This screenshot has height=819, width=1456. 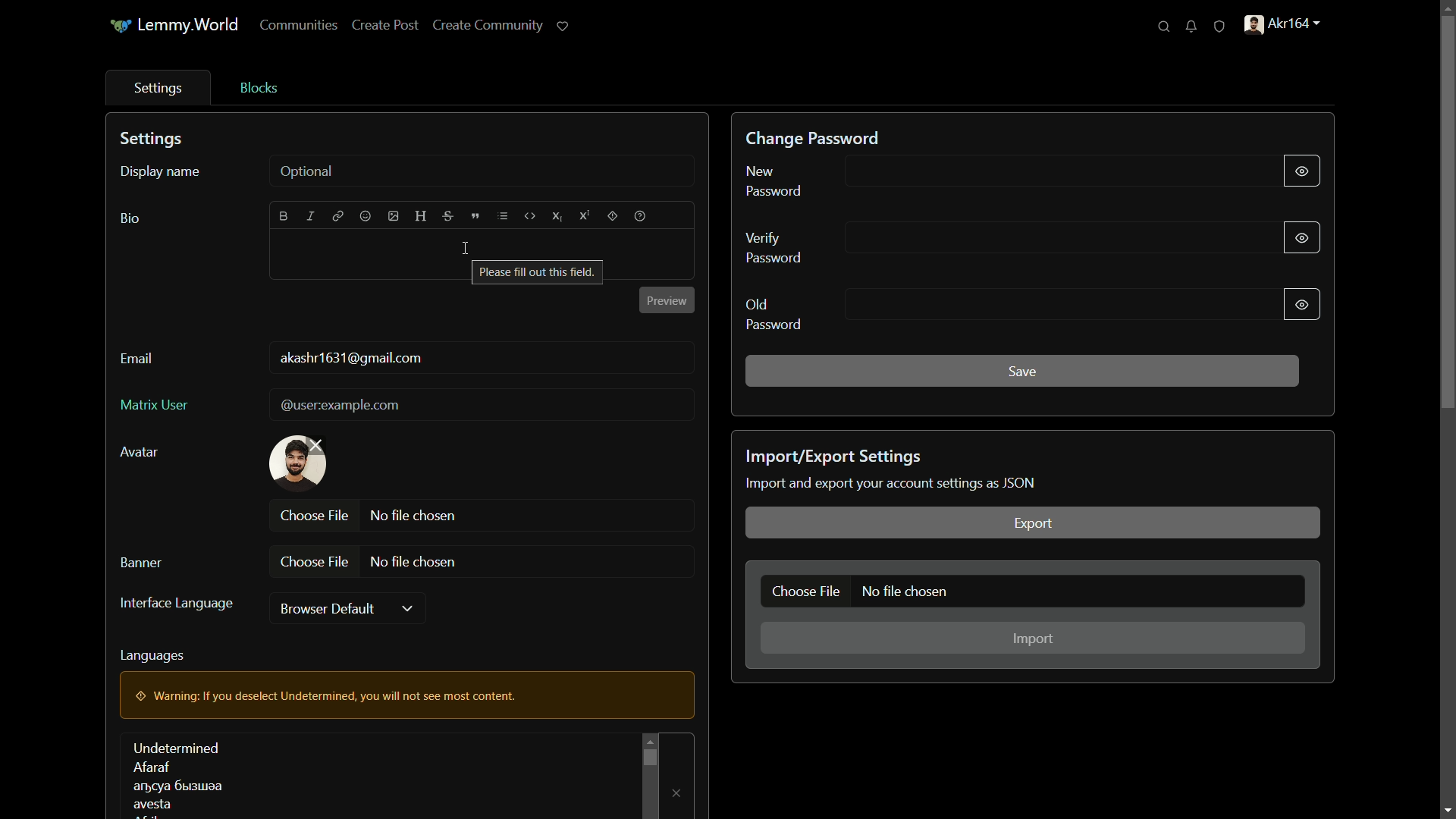 What do you see at coordinates (343, 406) in the screenshot?
I see `@userexample.com` at bounding box center [343, 406].